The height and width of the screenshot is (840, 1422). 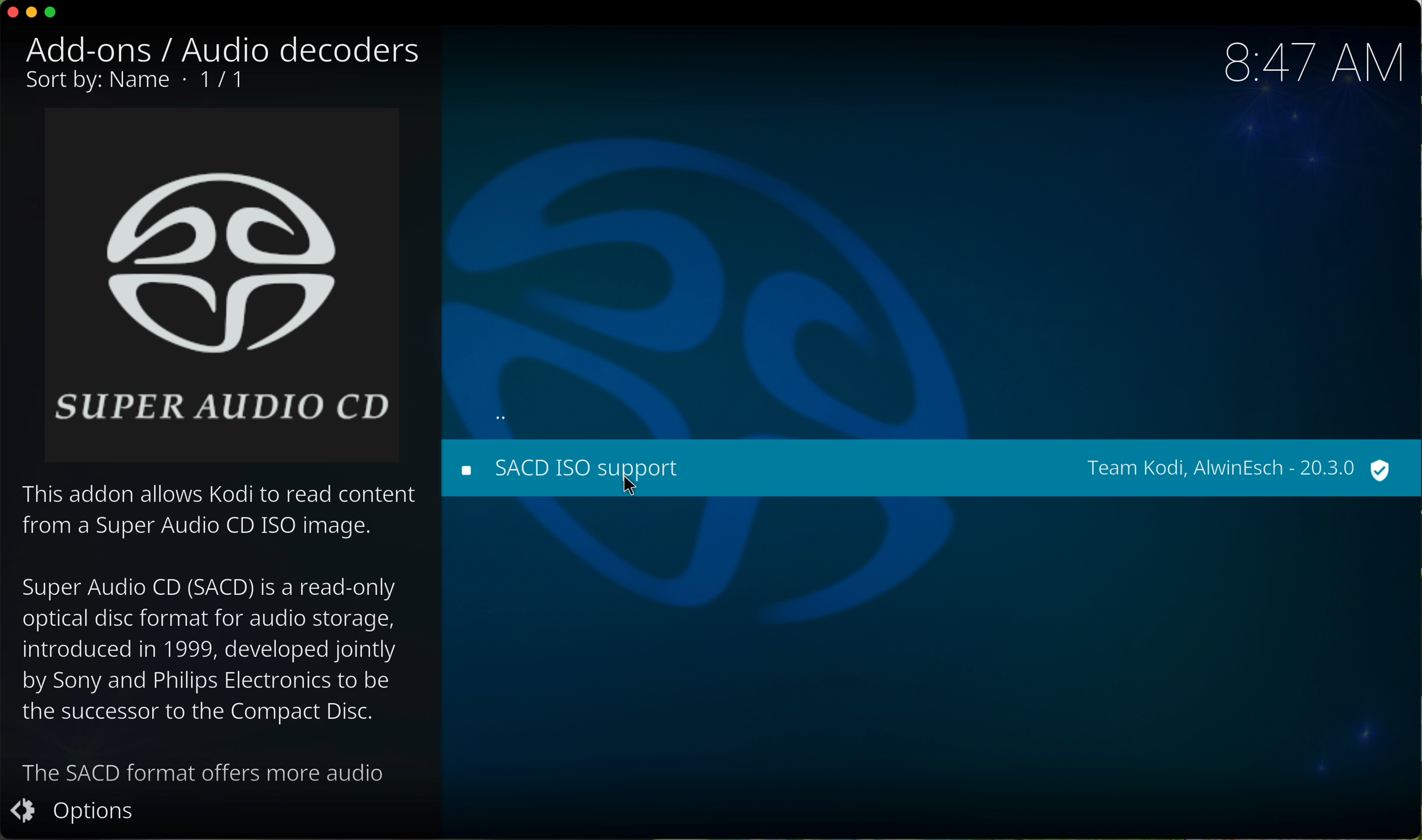 What do you see at coordinates (1313, 61) in the screenshot?
I see `hour` at bounding box center [1313, 61].